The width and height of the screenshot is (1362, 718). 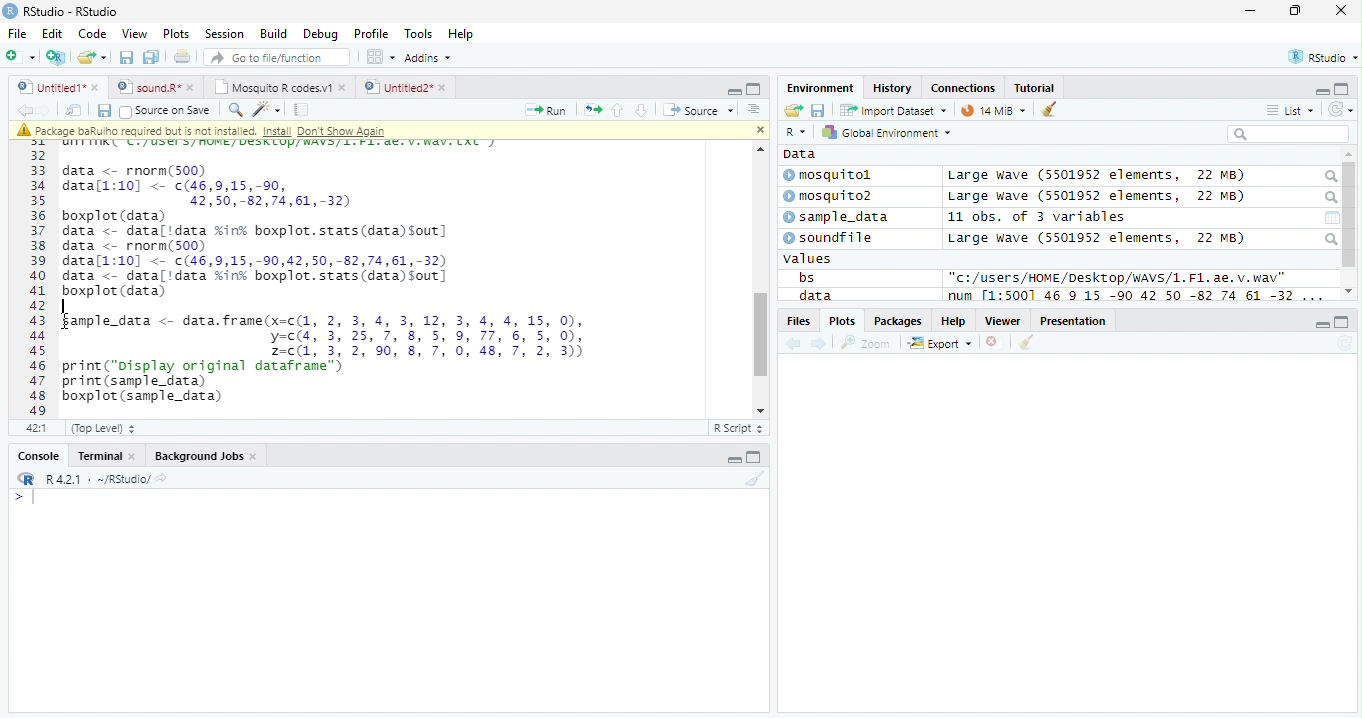 I want to click on Debug, so click(x=319, y=34).